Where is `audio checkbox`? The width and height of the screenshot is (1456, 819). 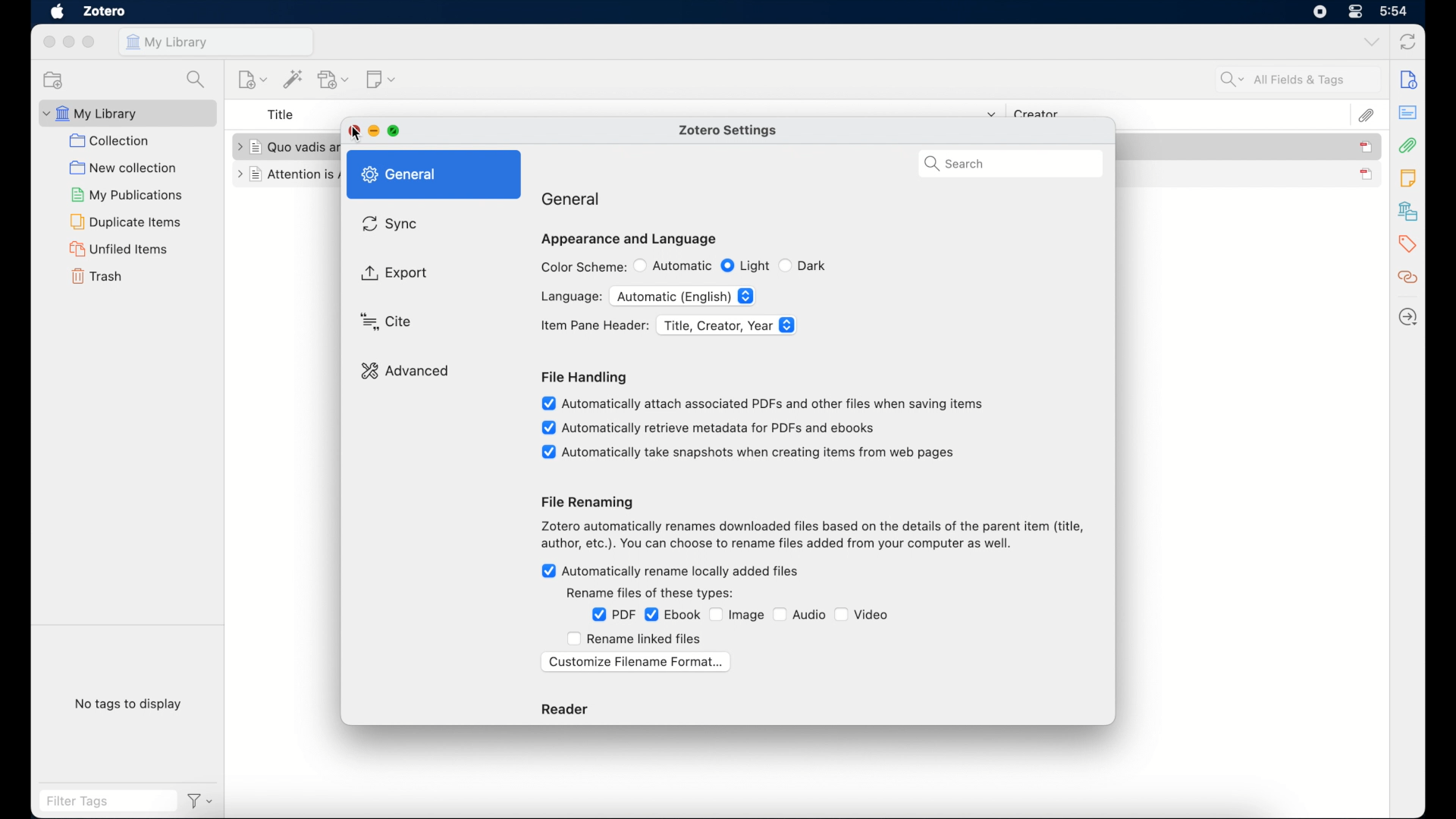
audio checkbox is located at coordinates (799, 613).